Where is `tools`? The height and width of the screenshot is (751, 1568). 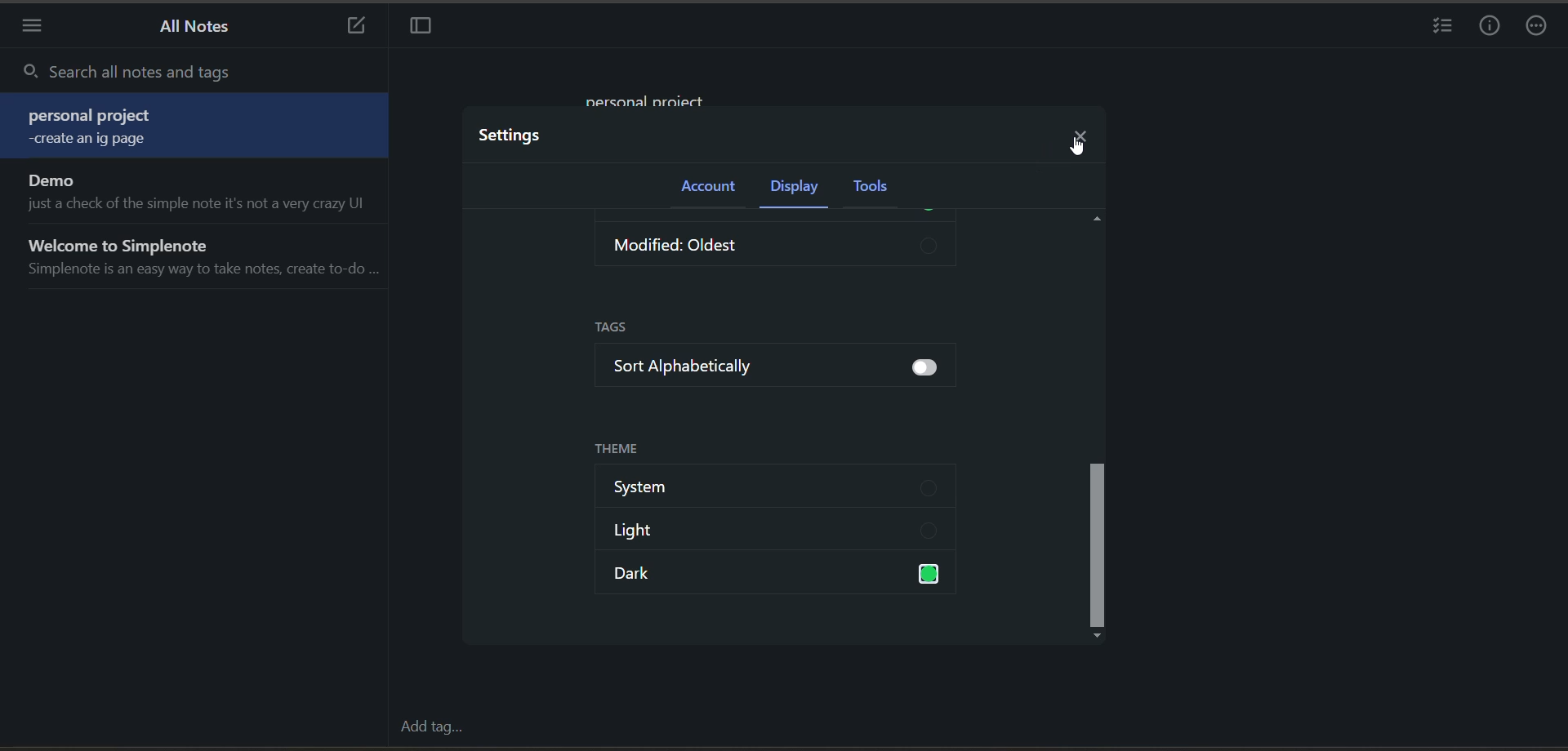
tools is located at coordinates (870, 188).